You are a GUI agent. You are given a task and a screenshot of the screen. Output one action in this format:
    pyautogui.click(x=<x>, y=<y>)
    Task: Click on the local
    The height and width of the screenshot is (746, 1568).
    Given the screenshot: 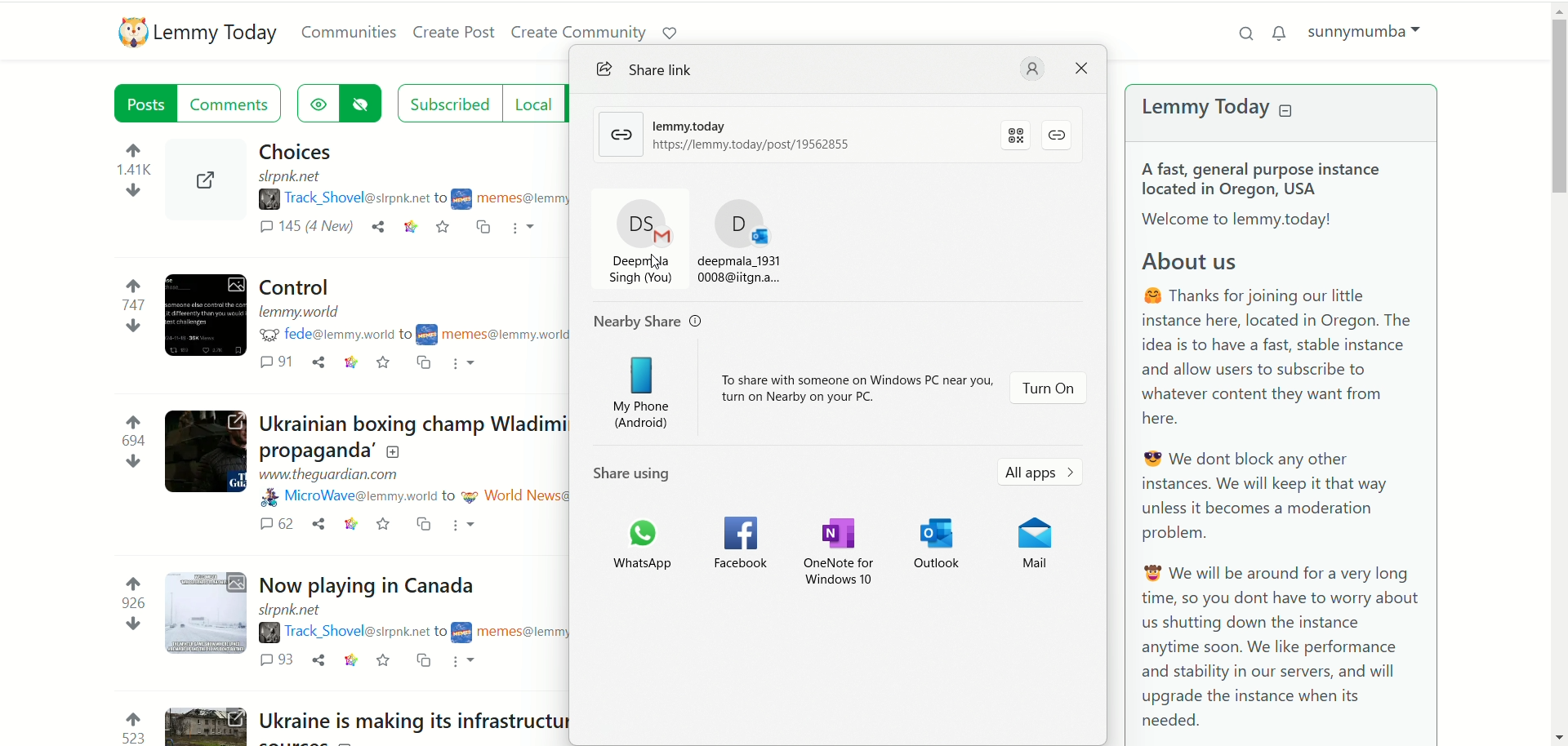 What is the action you would take?
    pyautogui.click(x=532, y=102)
    